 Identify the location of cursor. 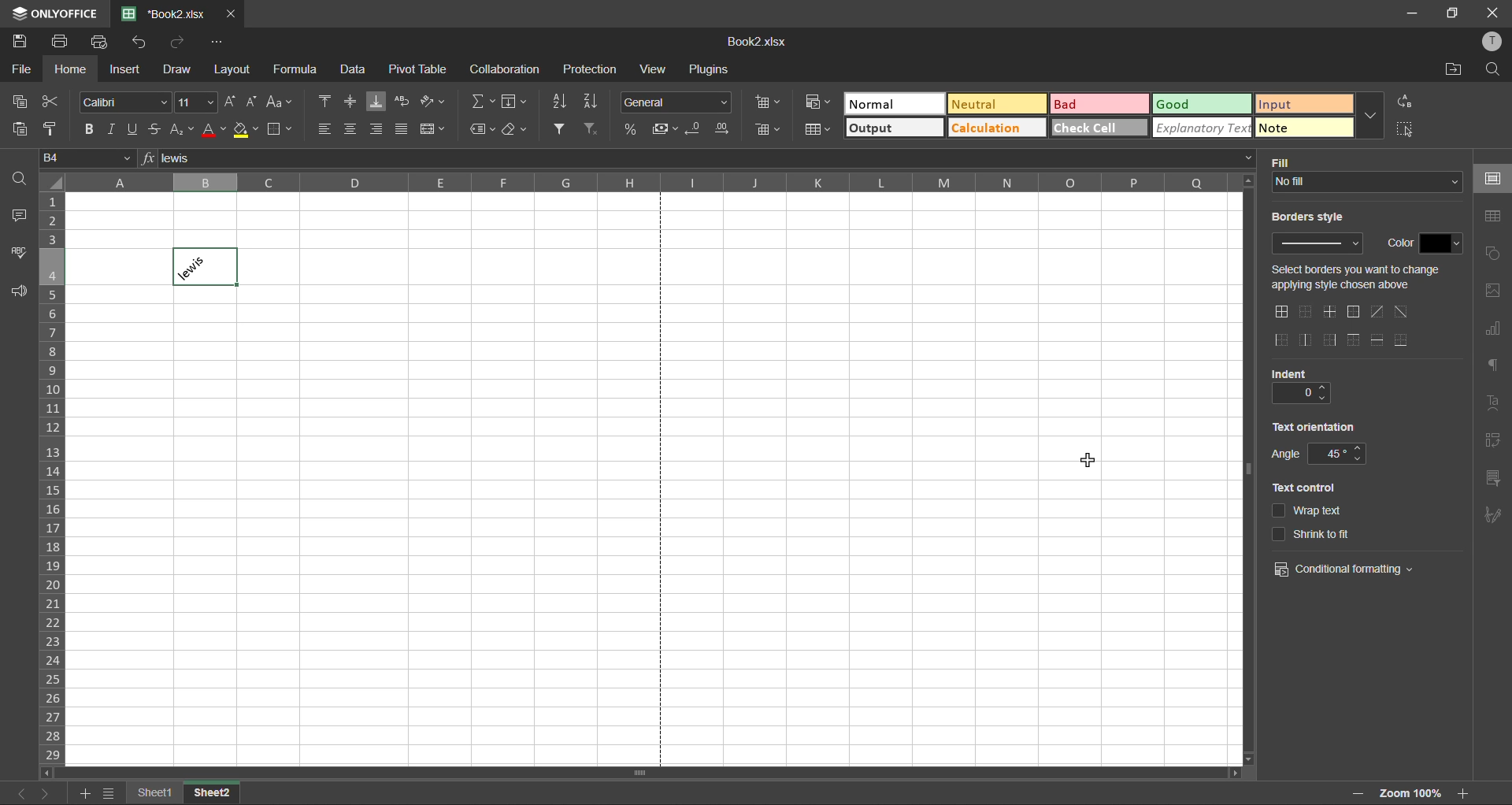
(1090, 457).